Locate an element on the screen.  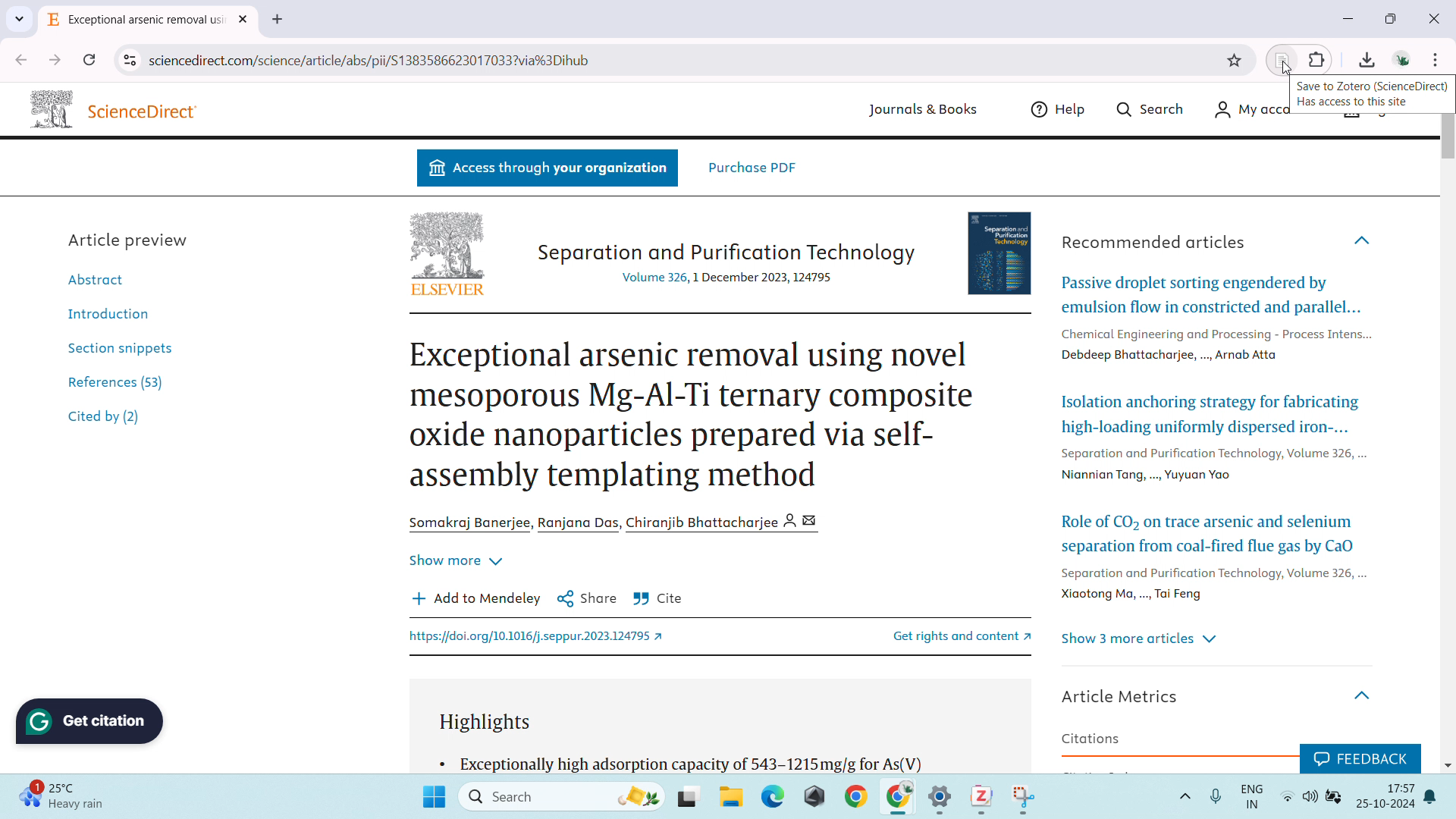
Help is located at coordinates (1062, 109).